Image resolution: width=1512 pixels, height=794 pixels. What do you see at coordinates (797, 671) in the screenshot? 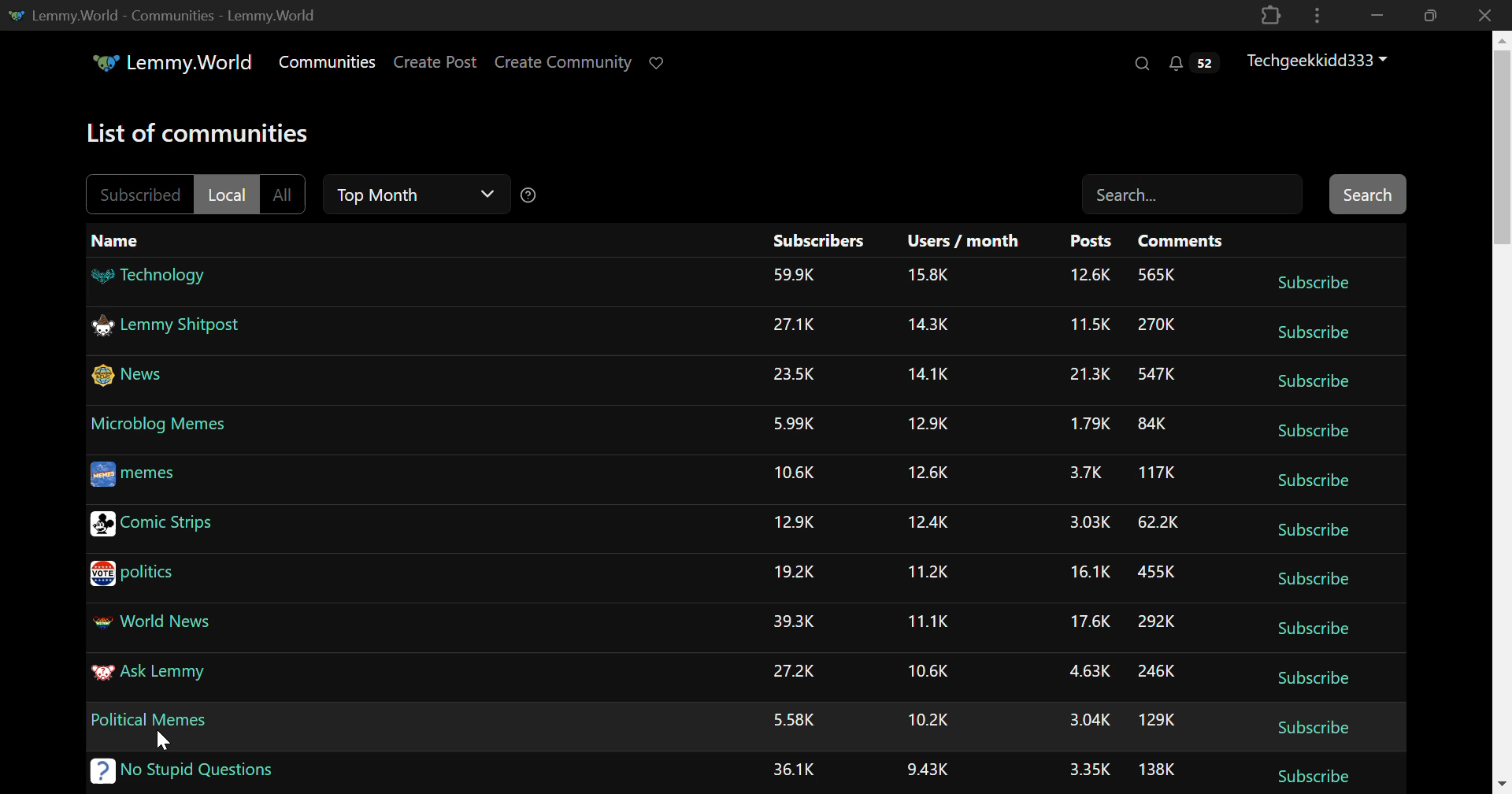
I see `Amount` at bounding box center [797, 671].